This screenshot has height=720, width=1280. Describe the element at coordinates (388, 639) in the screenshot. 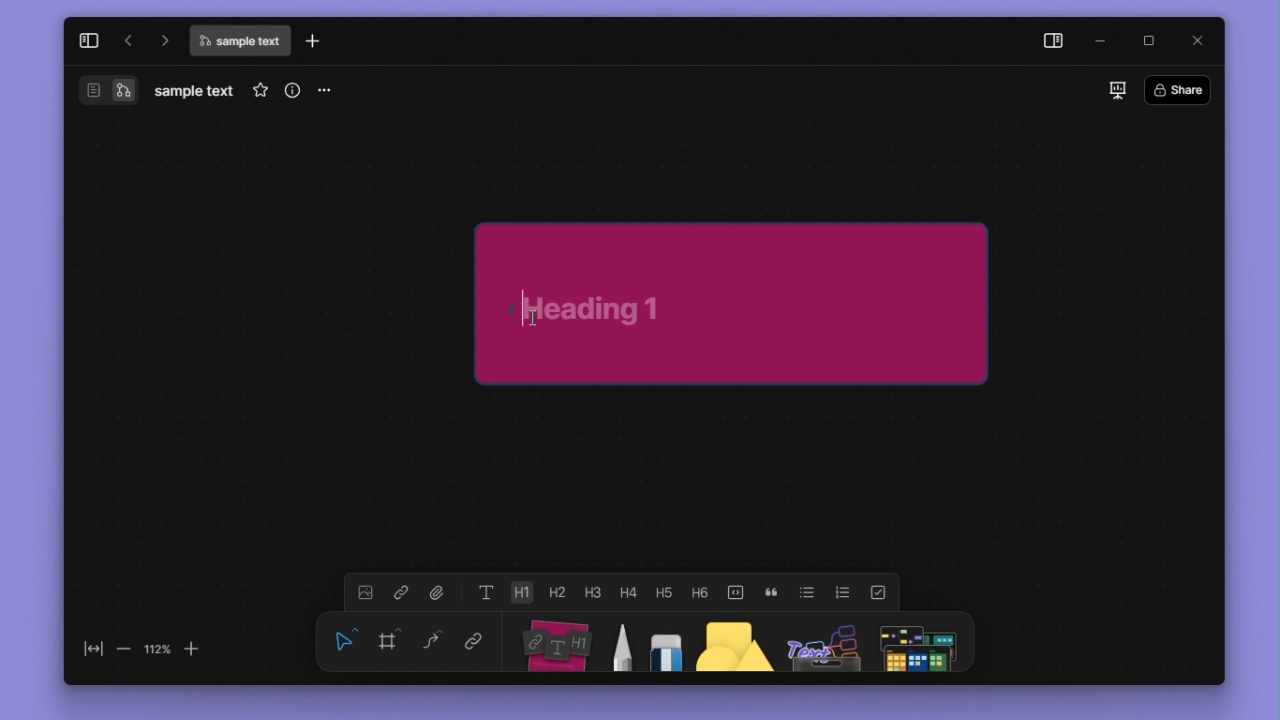

I see `frame` at that location.